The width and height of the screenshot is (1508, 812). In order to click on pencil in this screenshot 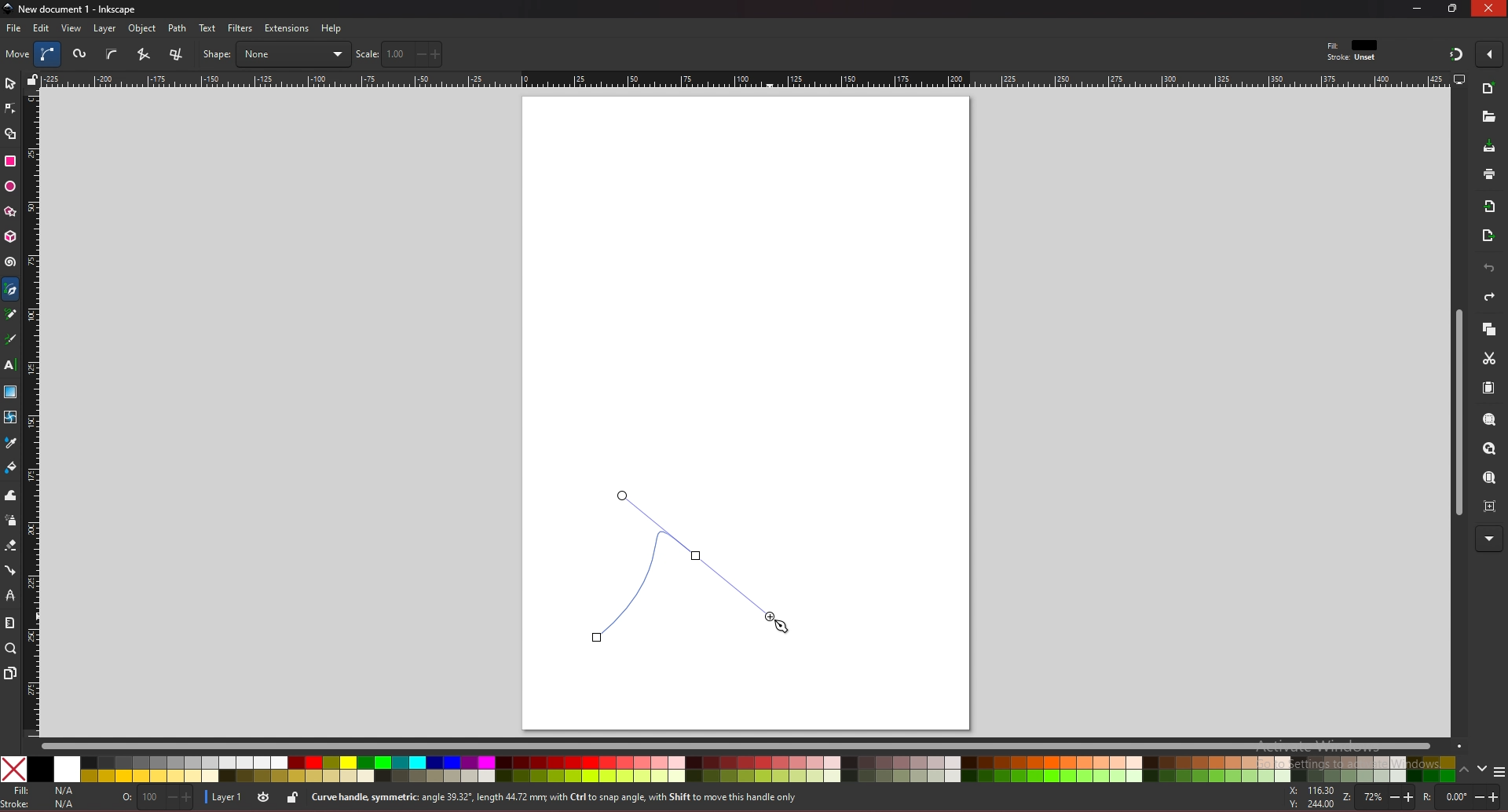, I will do `click(15, 315)`.